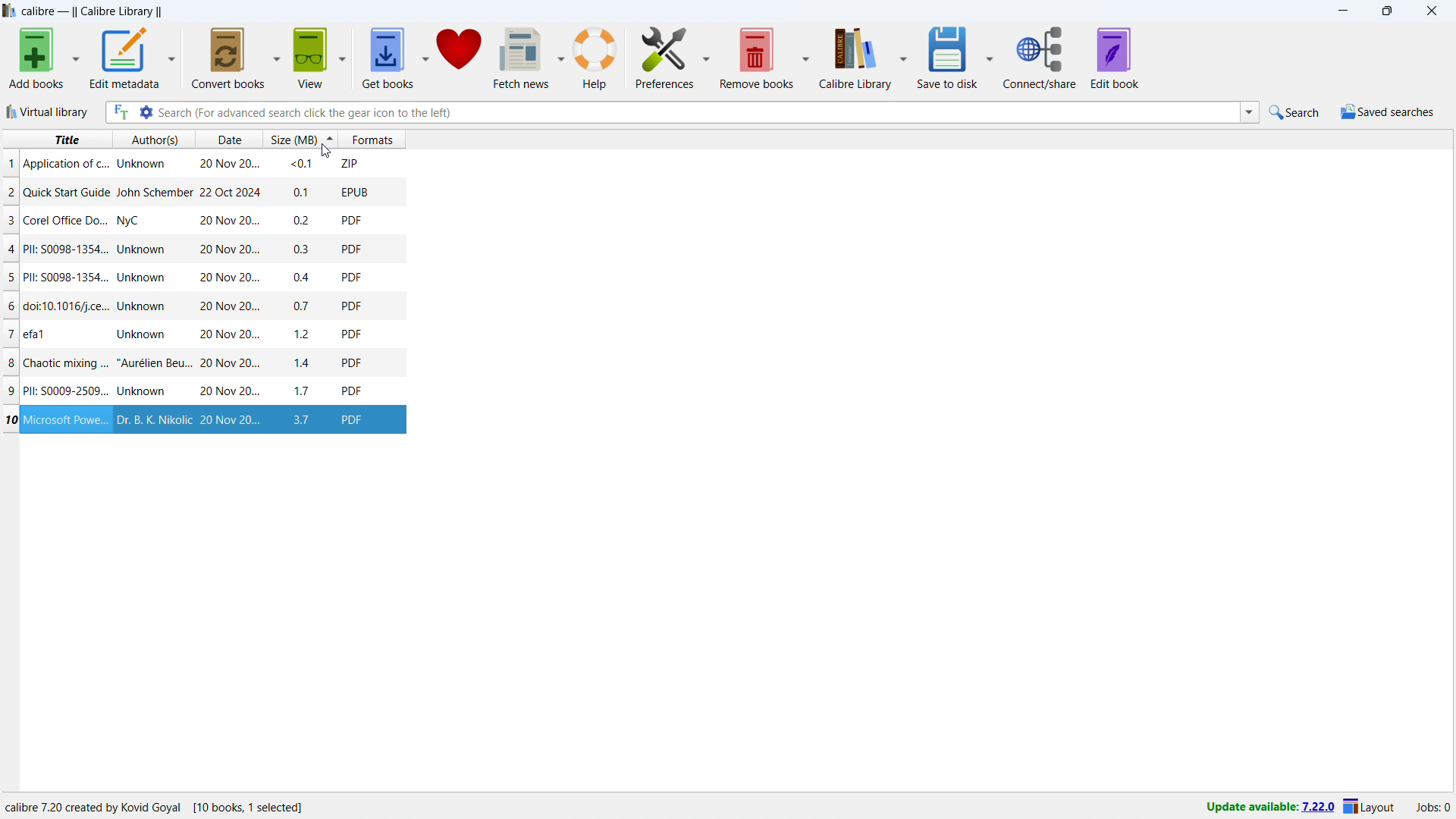 The width and height of the screenshot is (1456, 819). What do you see at coordinates (154, 306) in the screenshot?
I see `author` at bounding box center [154, 306].